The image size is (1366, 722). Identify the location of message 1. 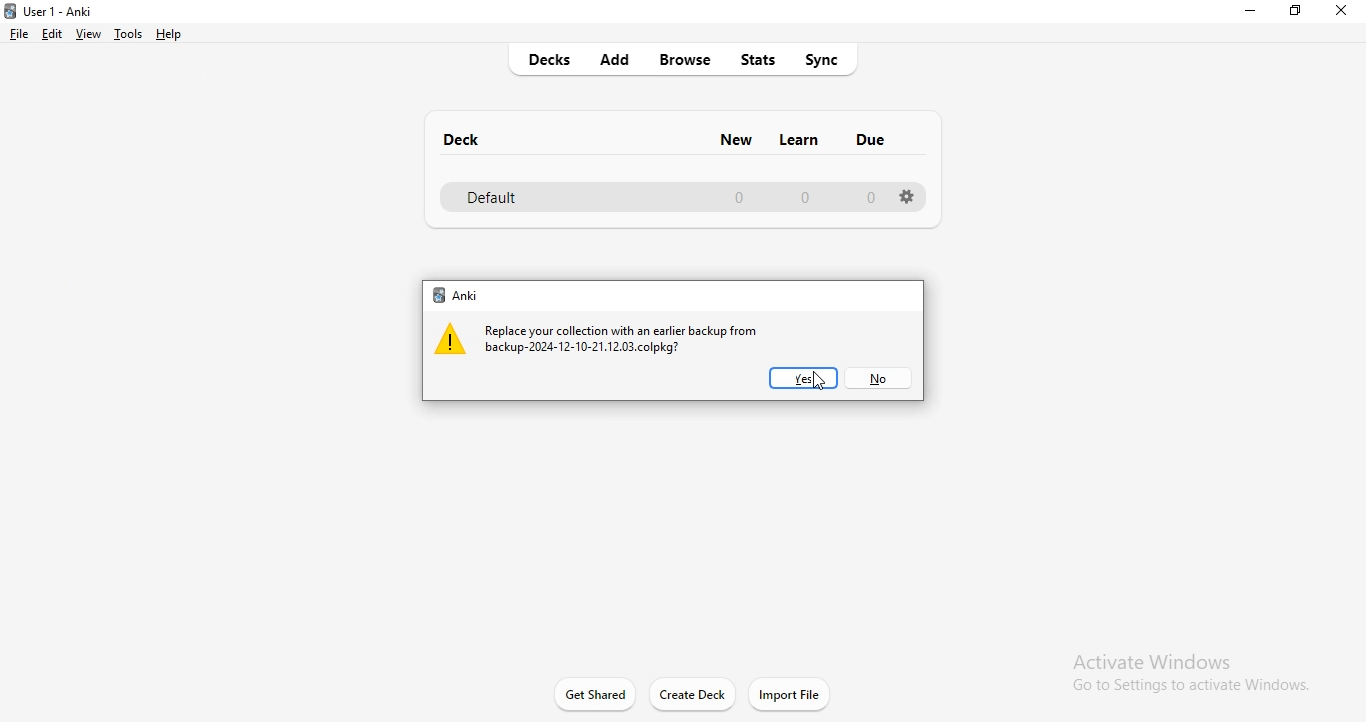
(621, 342).